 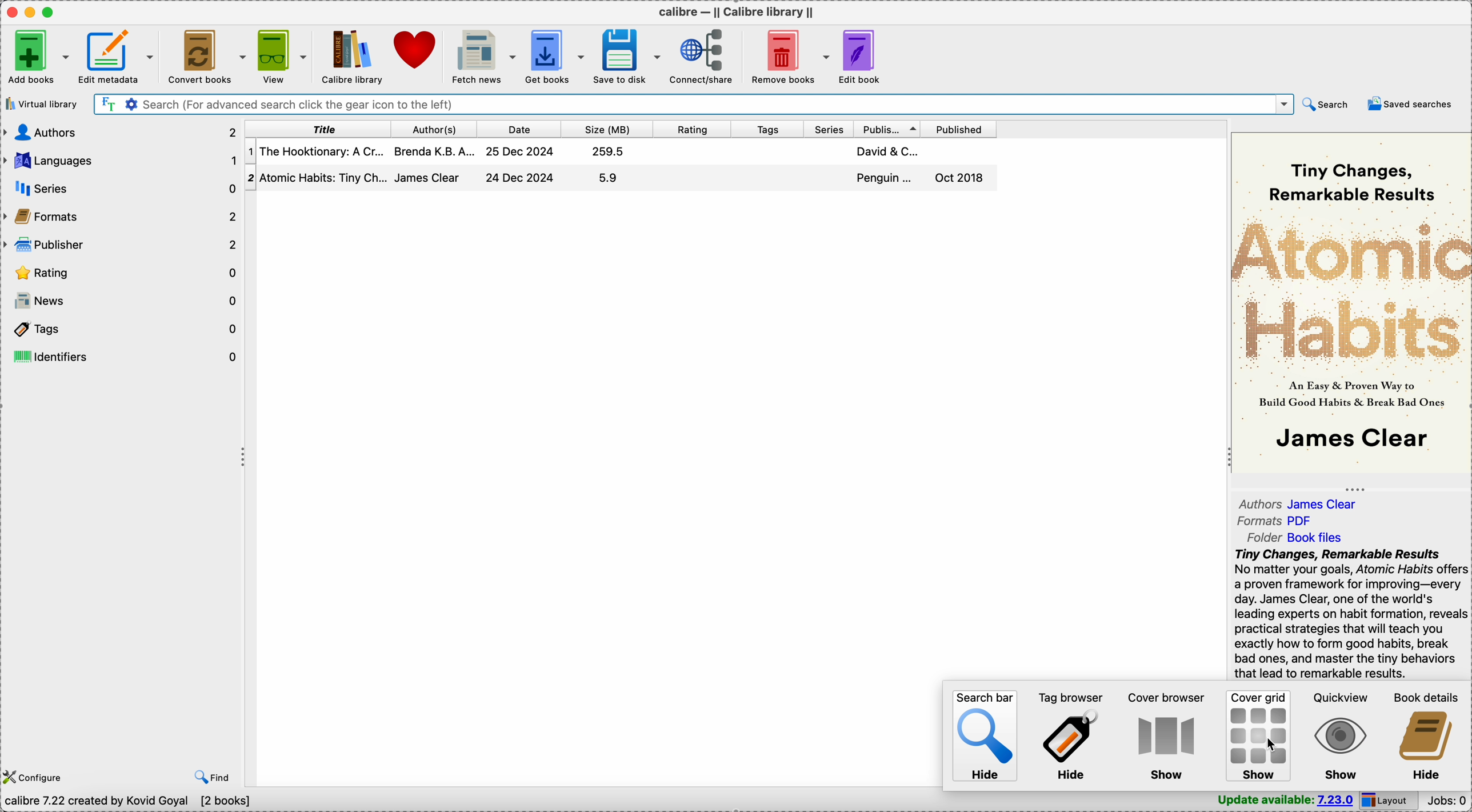 What do you see at coordinates (1449, 800) in the screenshot?
I see `jobs: 0` at bounding box center [1449, 800].